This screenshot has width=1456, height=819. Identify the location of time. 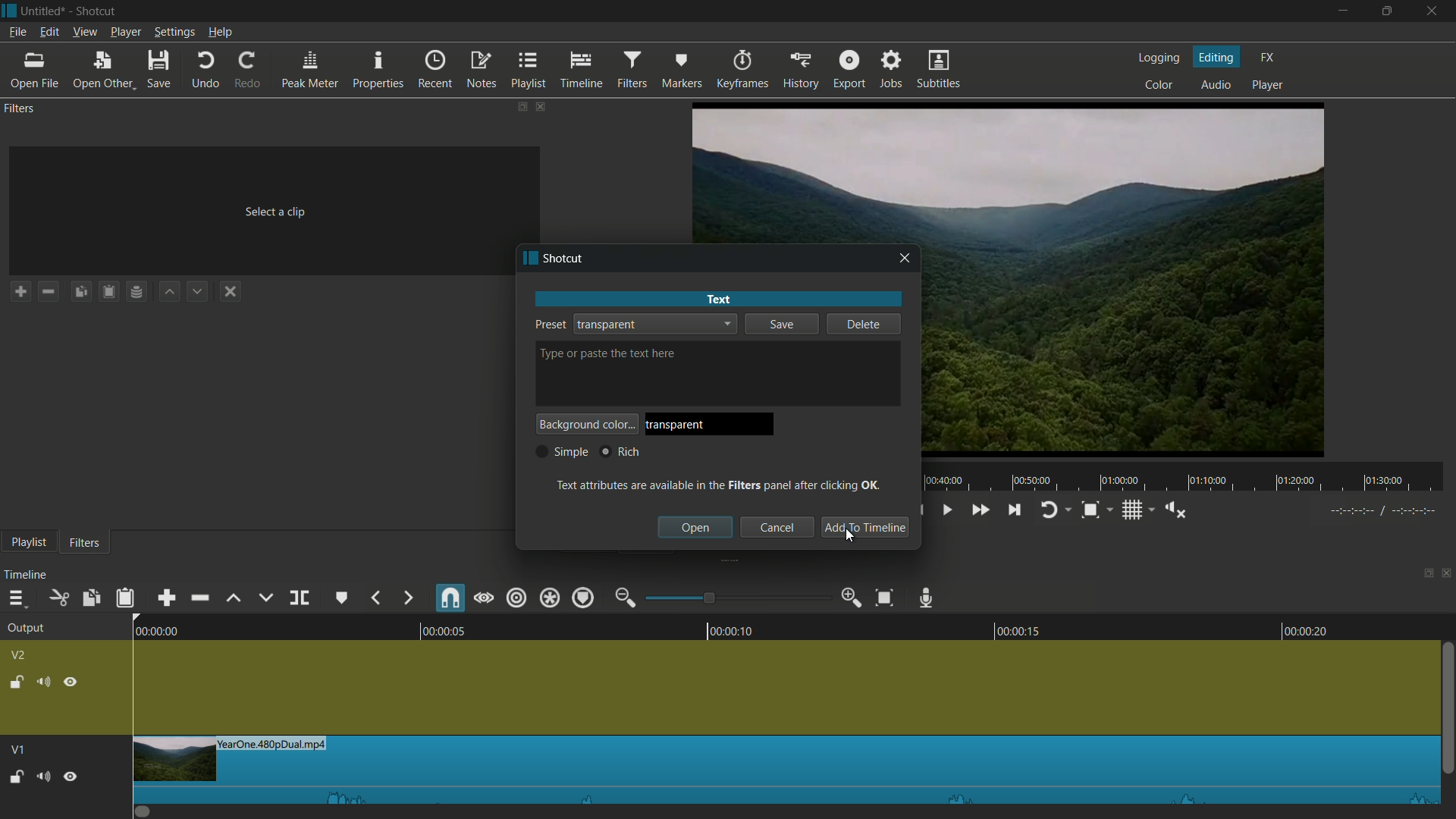
(1189, 477).